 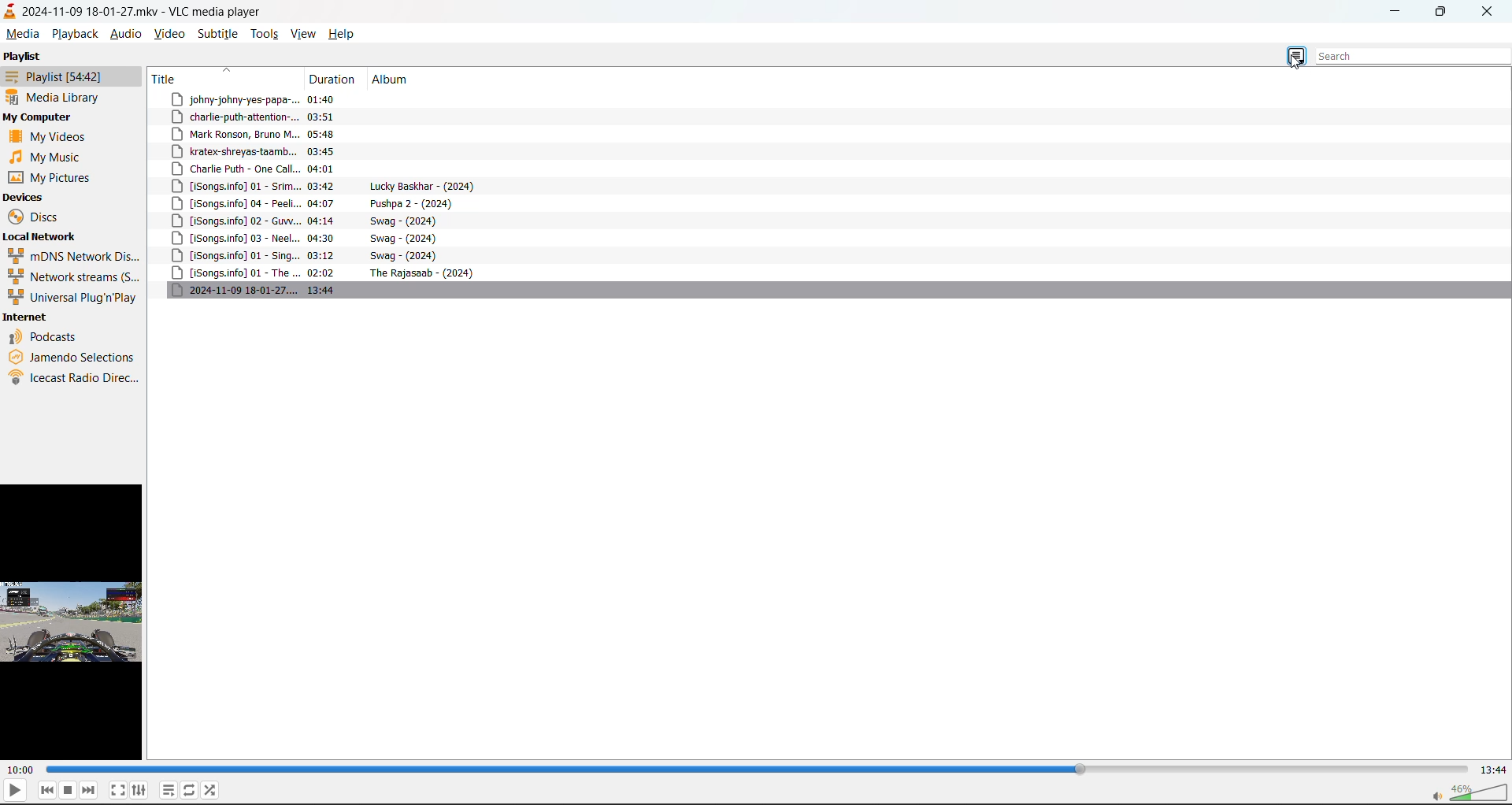 I want to click on stop, so click(x=67, y=789).